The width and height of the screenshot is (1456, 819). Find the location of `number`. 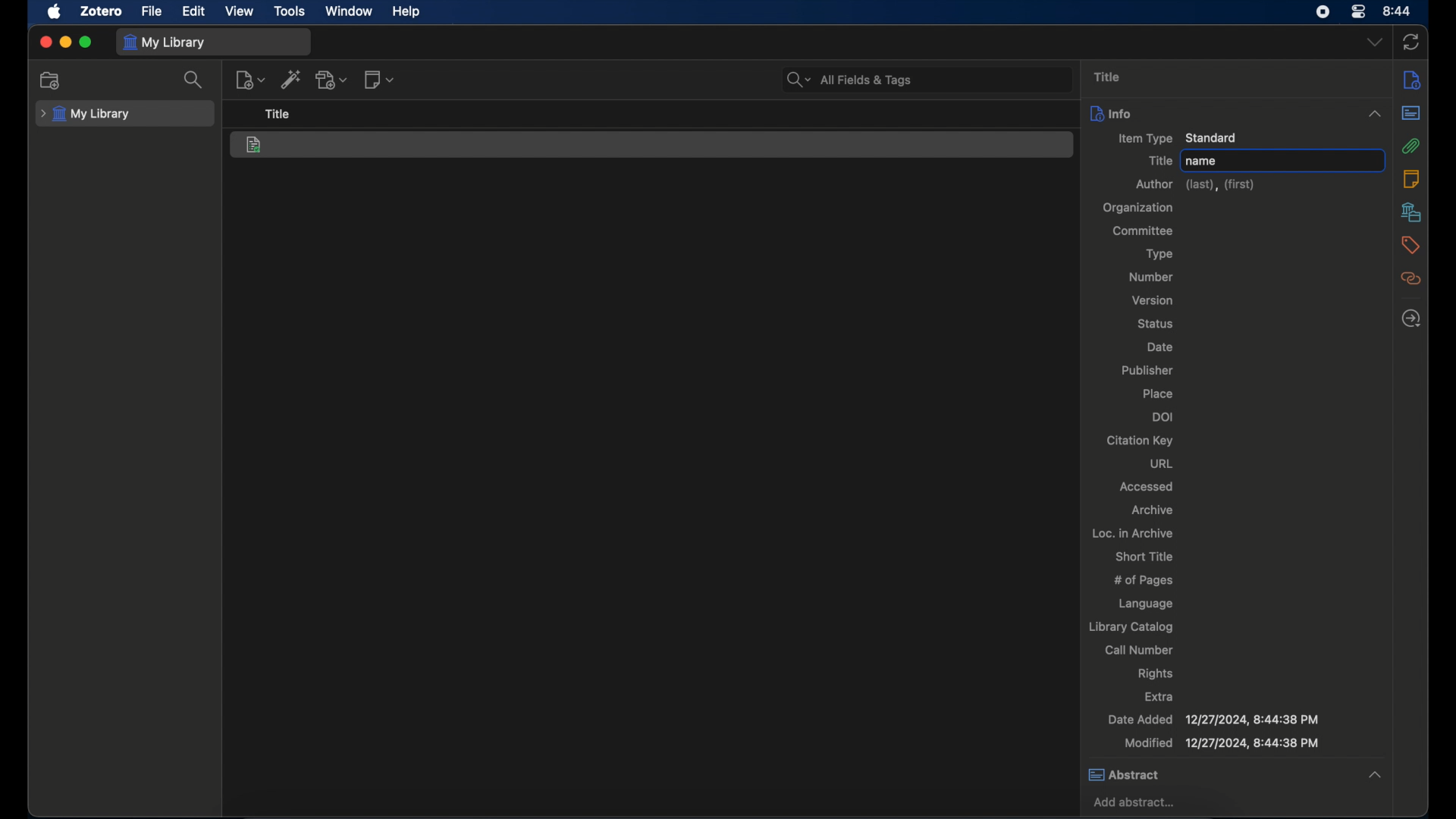

number is located at coordinates (1152, 277).